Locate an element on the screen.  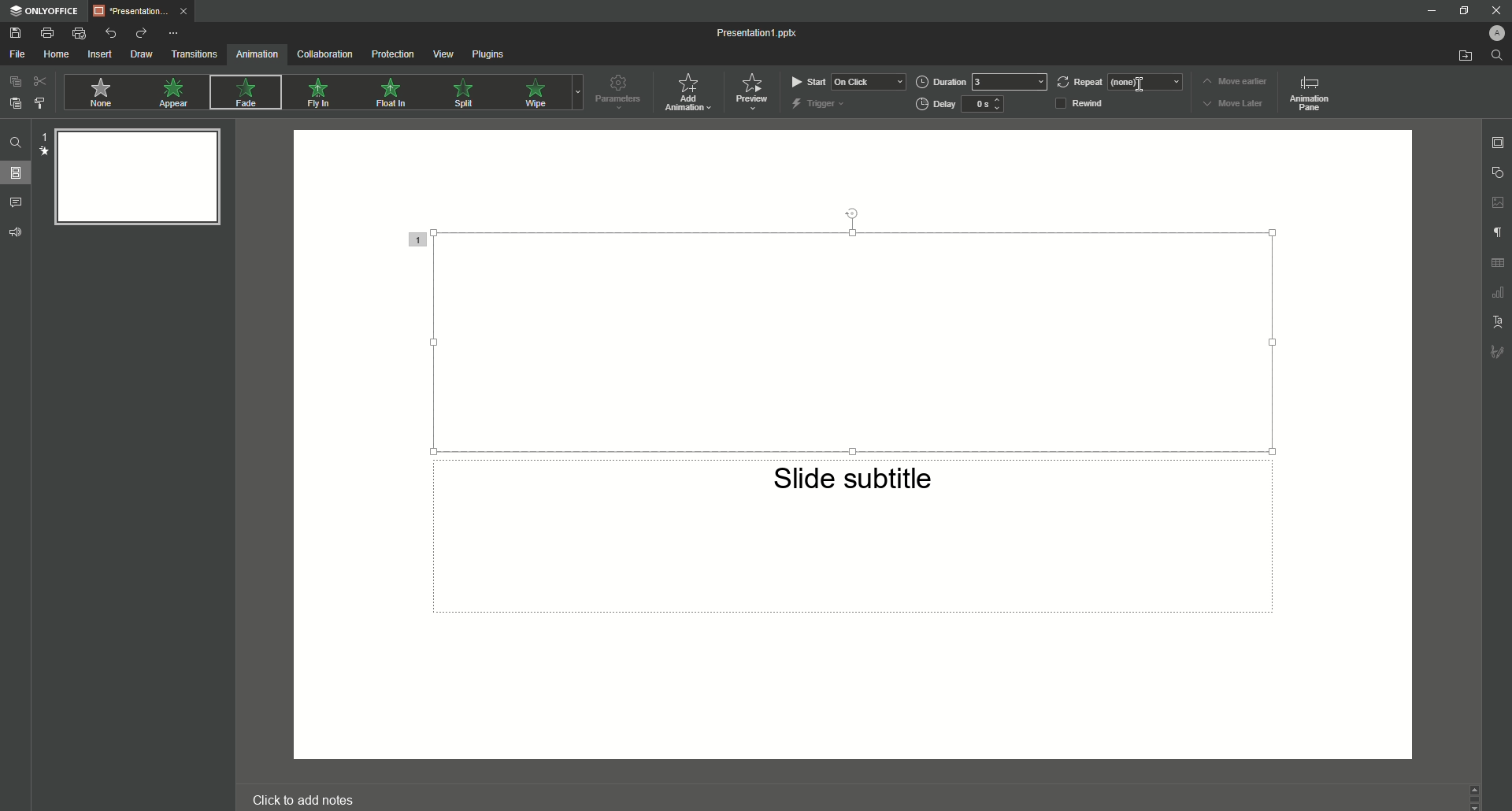
Fly In is located at coordinates (319, 92).